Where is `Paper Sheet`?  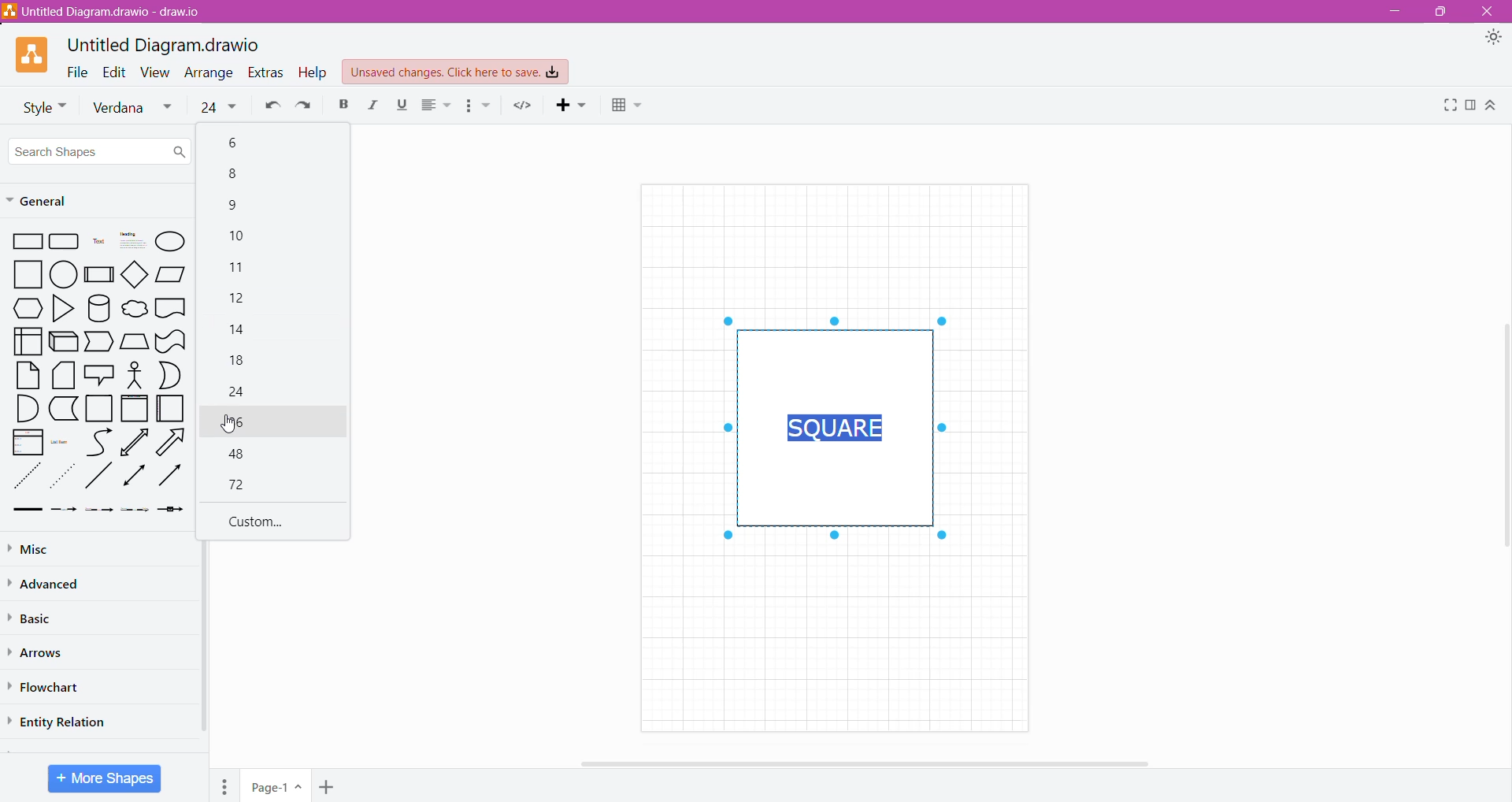 Paper Sheet is located at coordinates (25, 376).